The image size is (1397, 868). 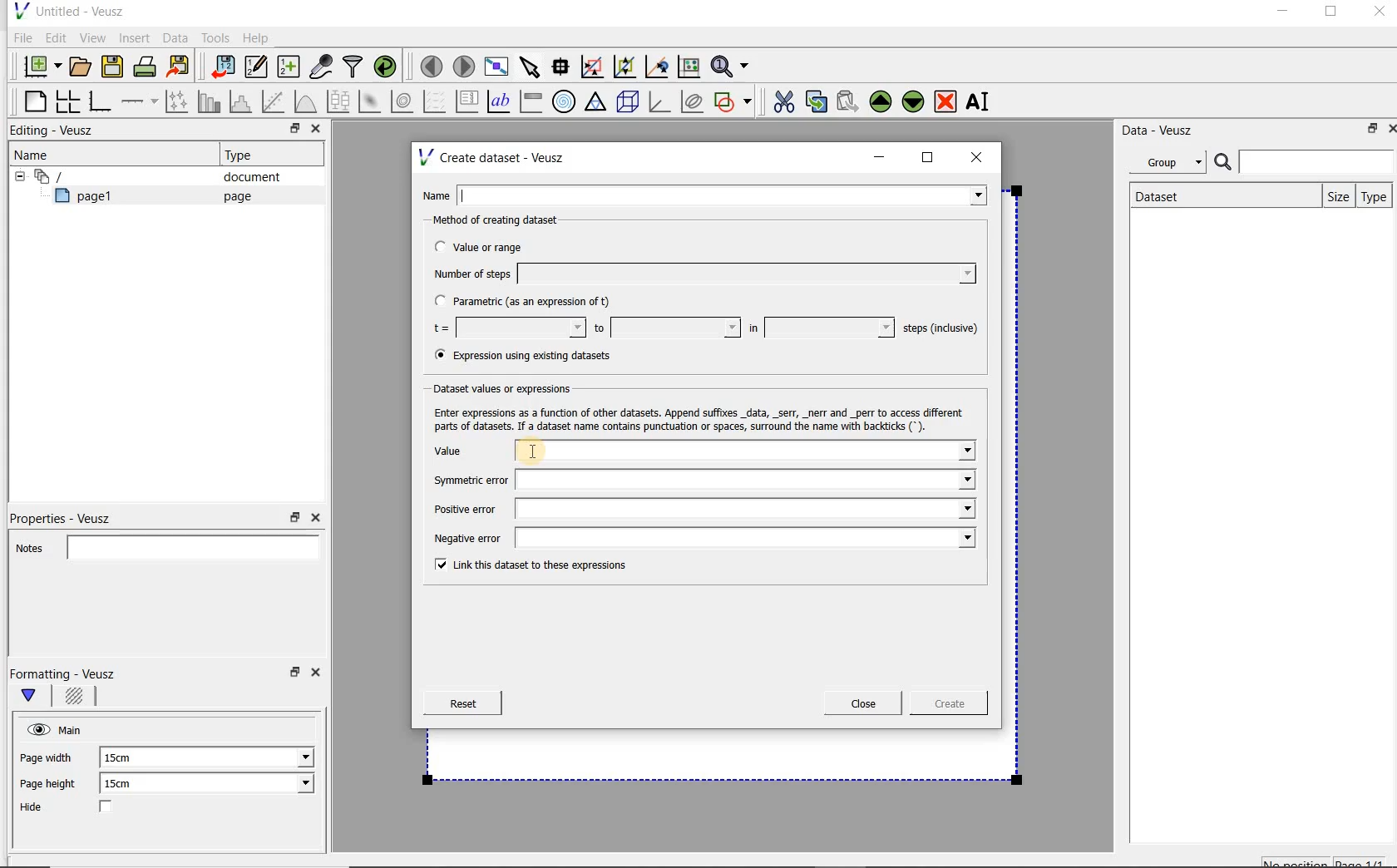 I want to click on Close, so click(x=314, y=131).